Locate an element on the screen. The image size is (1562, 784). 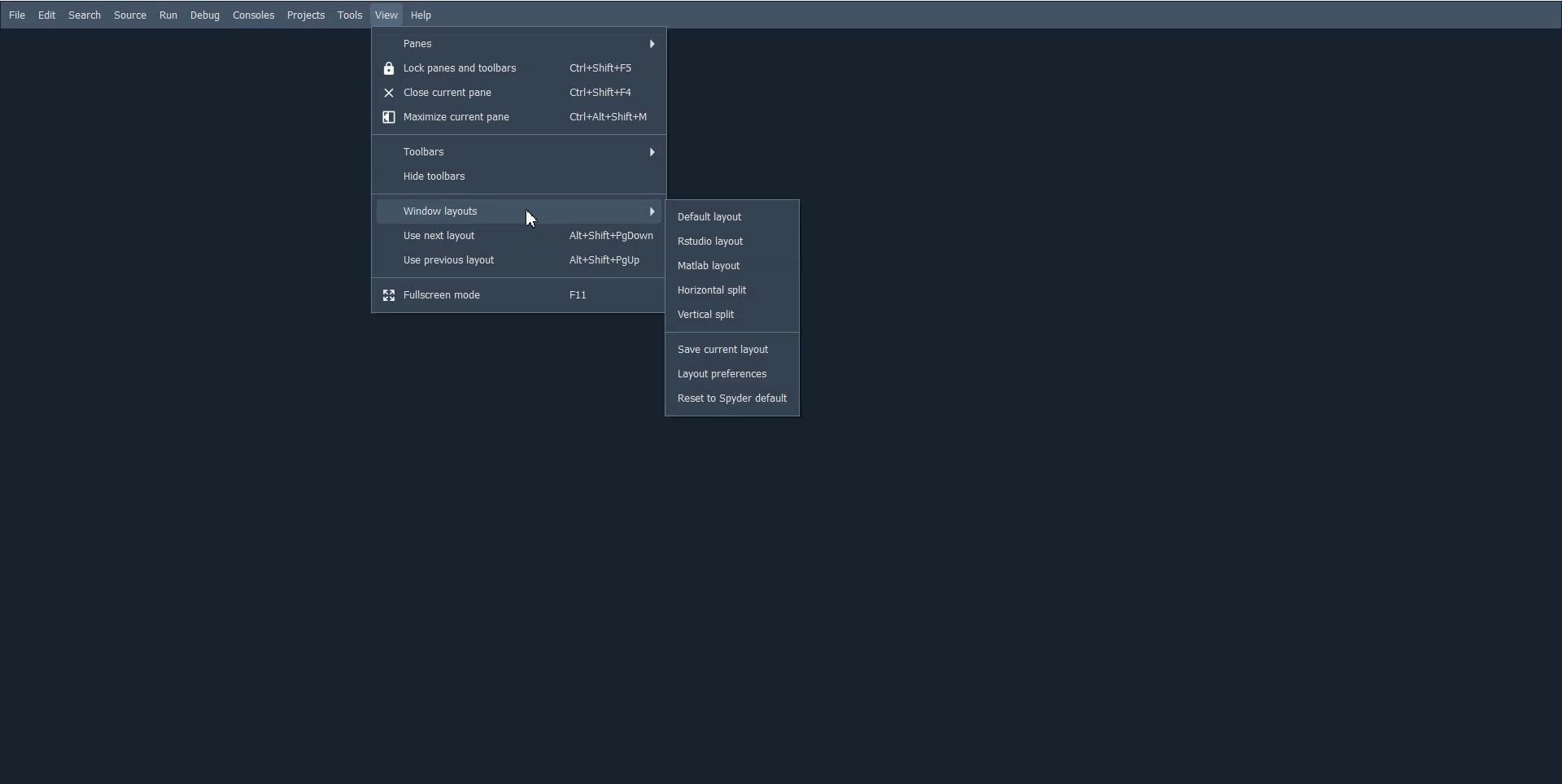
Projects is located at coordinates (306, 15).